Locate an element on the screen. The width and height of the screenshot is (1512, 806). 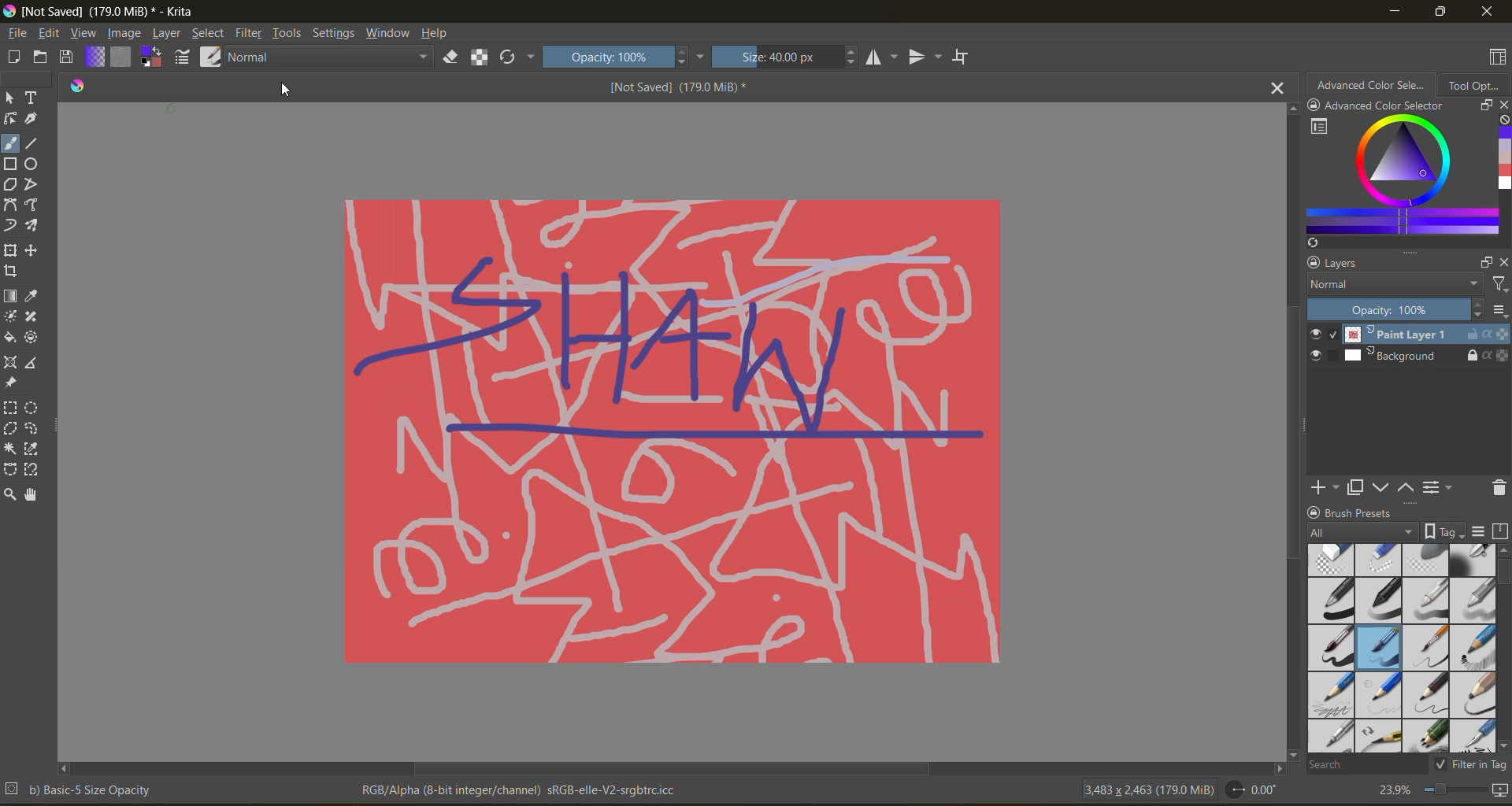
reference image tool is located at coordinates (13, 384).